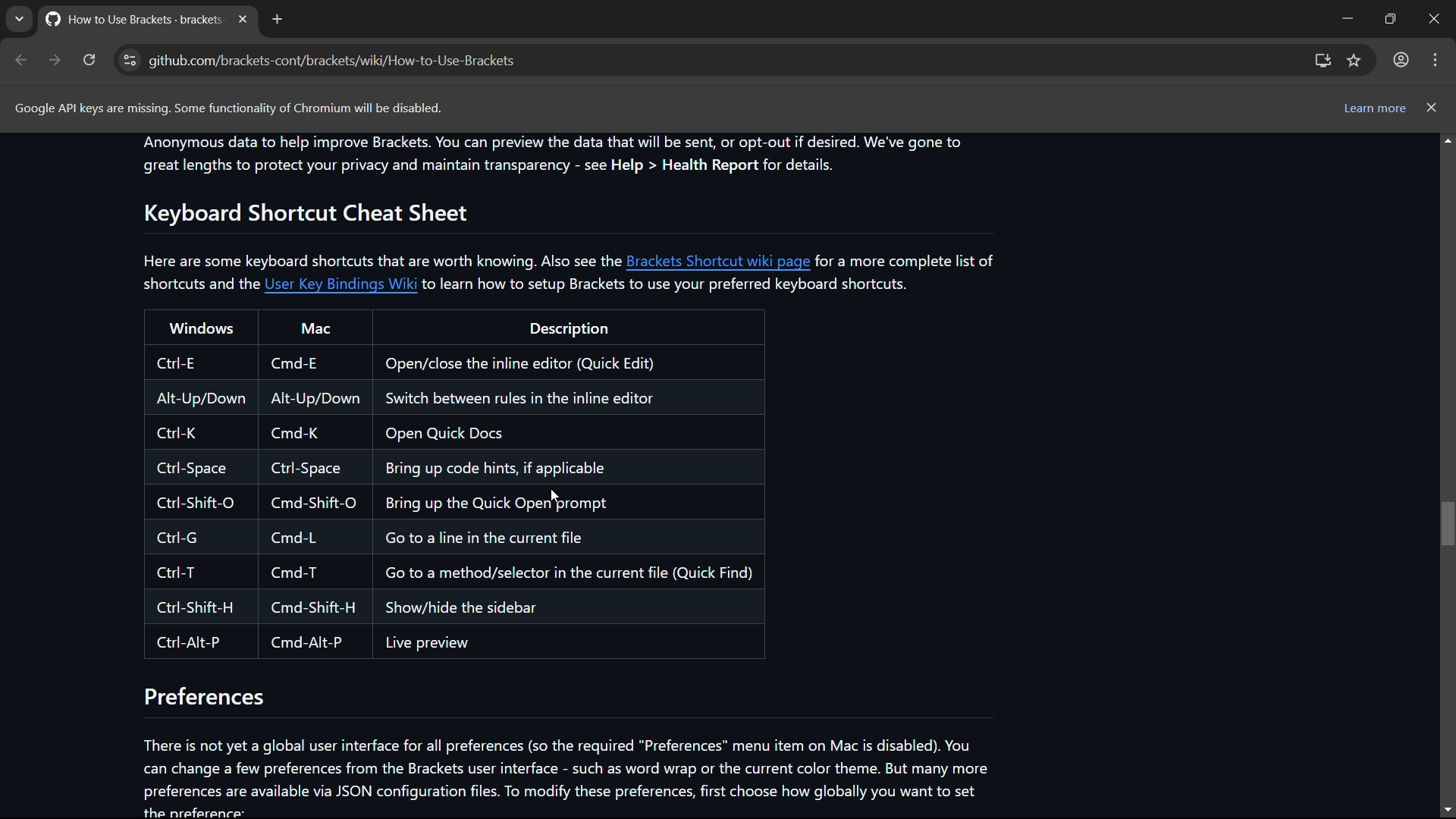 Image resolution: width=1456 pixels, height=819 pixels. What do you see at coordinates (206, 698) in the screenshot?
I see `preferences` at bounding box center [206, 698].